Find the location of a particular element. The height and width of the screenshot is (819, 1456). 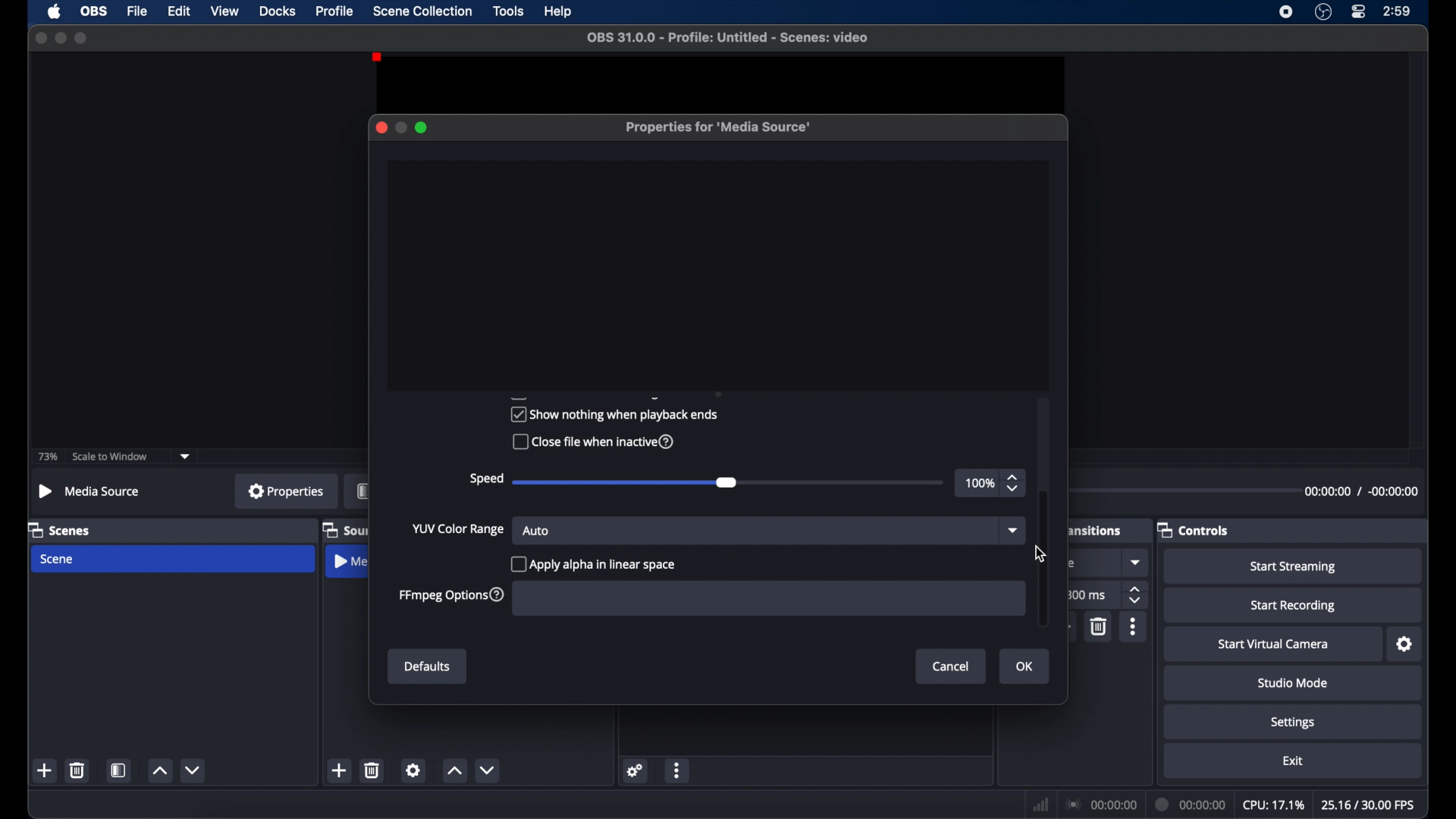

add is located at coordinates (1063, 627).